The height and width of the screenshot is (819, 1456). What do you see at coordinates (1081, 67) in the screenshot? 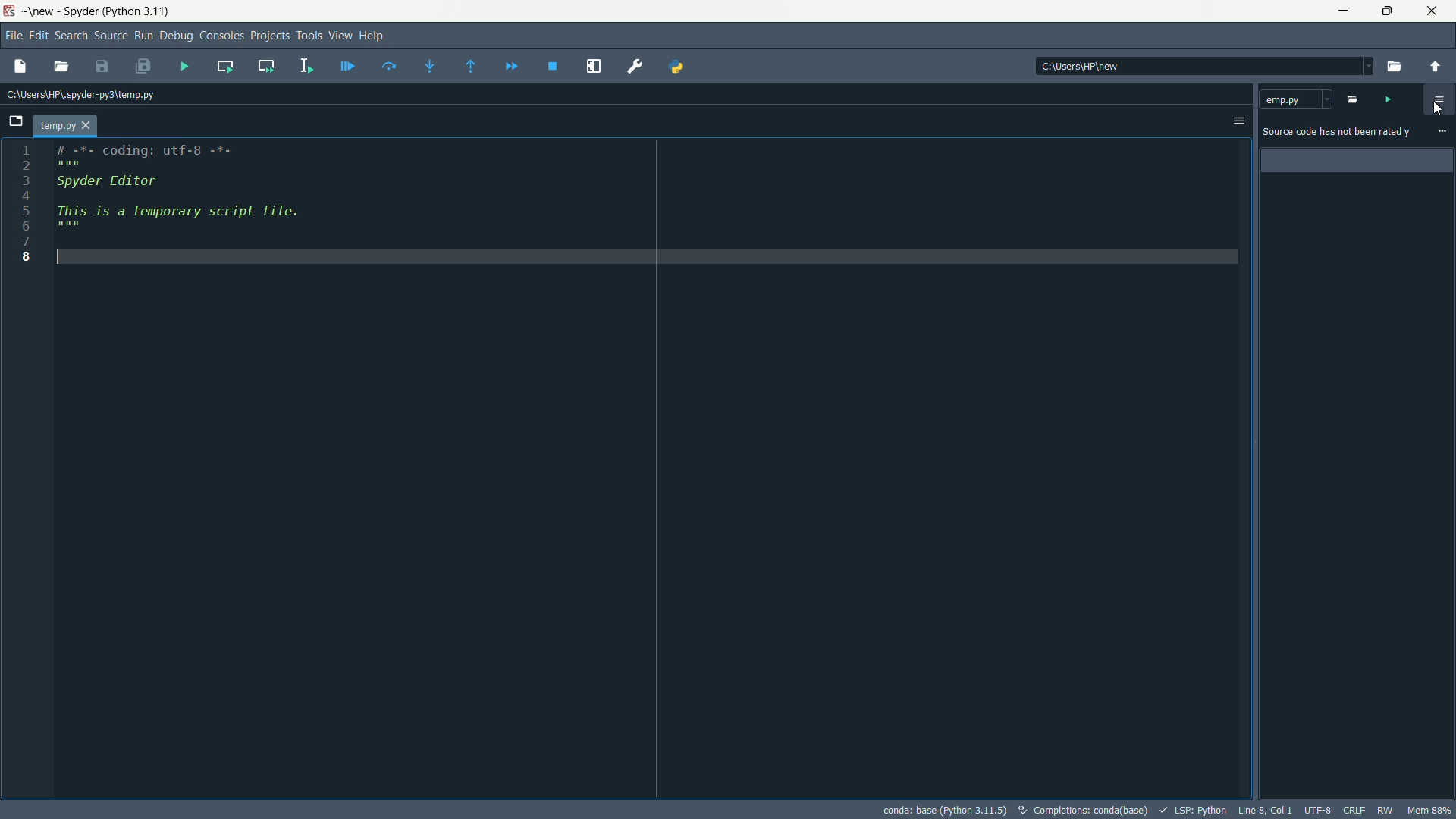
I see `directory: c:\users\hp\new` at bounding box center [1081, 67].